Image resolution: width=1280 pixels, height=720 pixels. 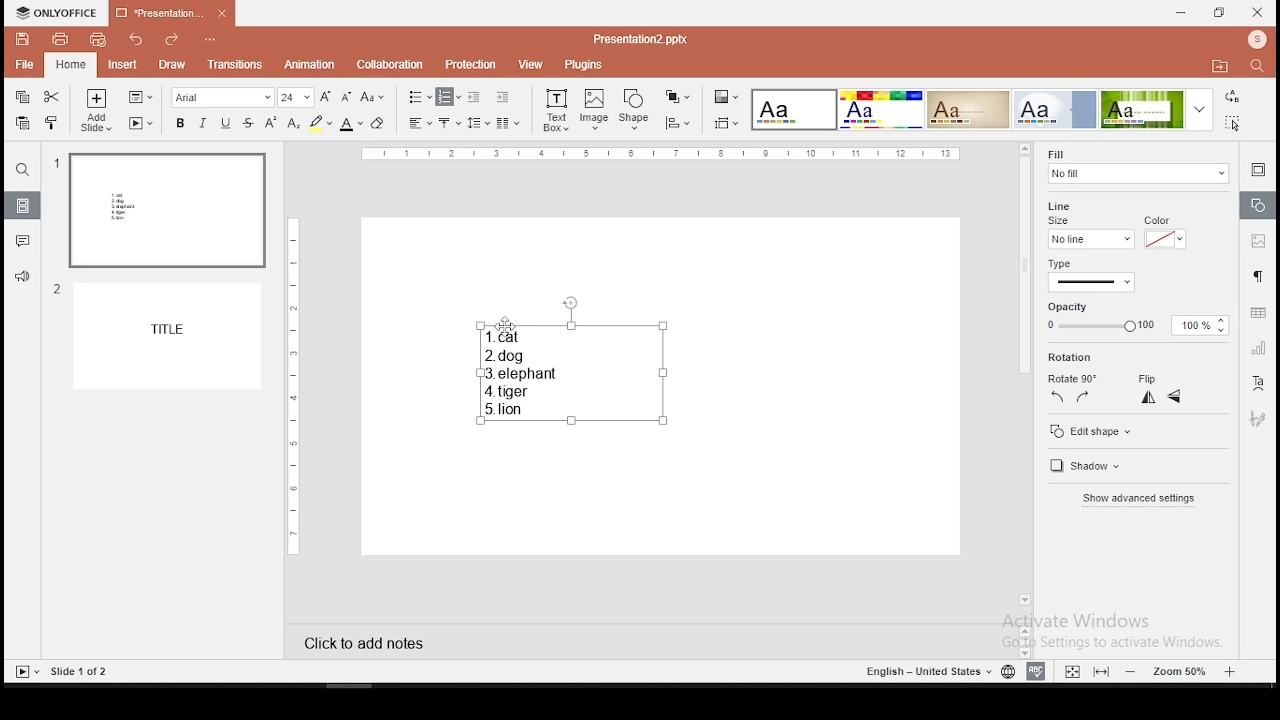 What do you see at coordinates (1098, 467) in the screenshot?
I see `shadow` at bounding box center [1098, 467].